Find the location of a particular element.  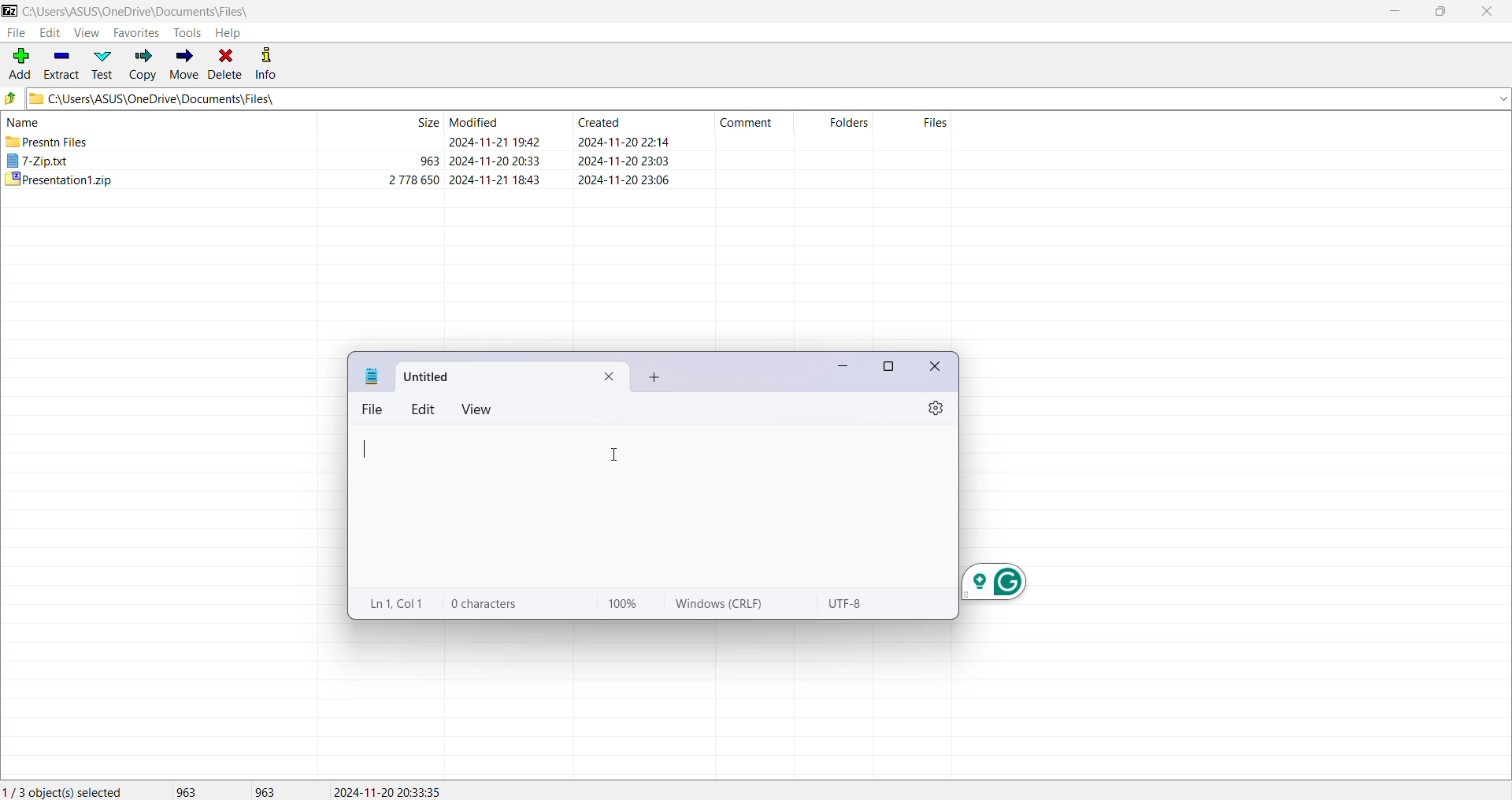

Modified Date of the last selected file is located at coordinates (394, 791).